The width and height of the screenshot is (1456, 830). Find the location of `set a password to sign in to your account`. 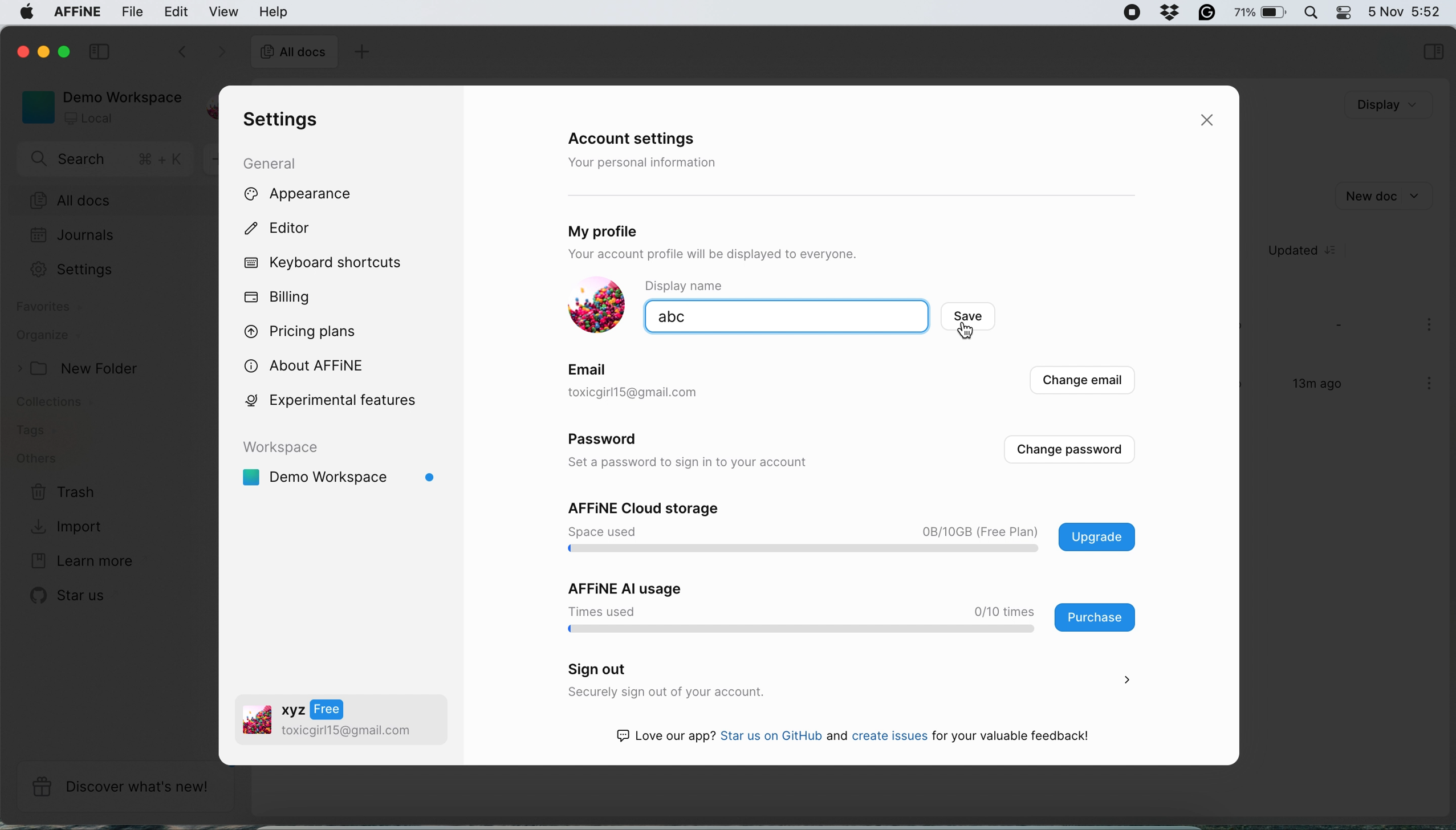

set a password to sign in to your account is located at coordinates (696, 463).